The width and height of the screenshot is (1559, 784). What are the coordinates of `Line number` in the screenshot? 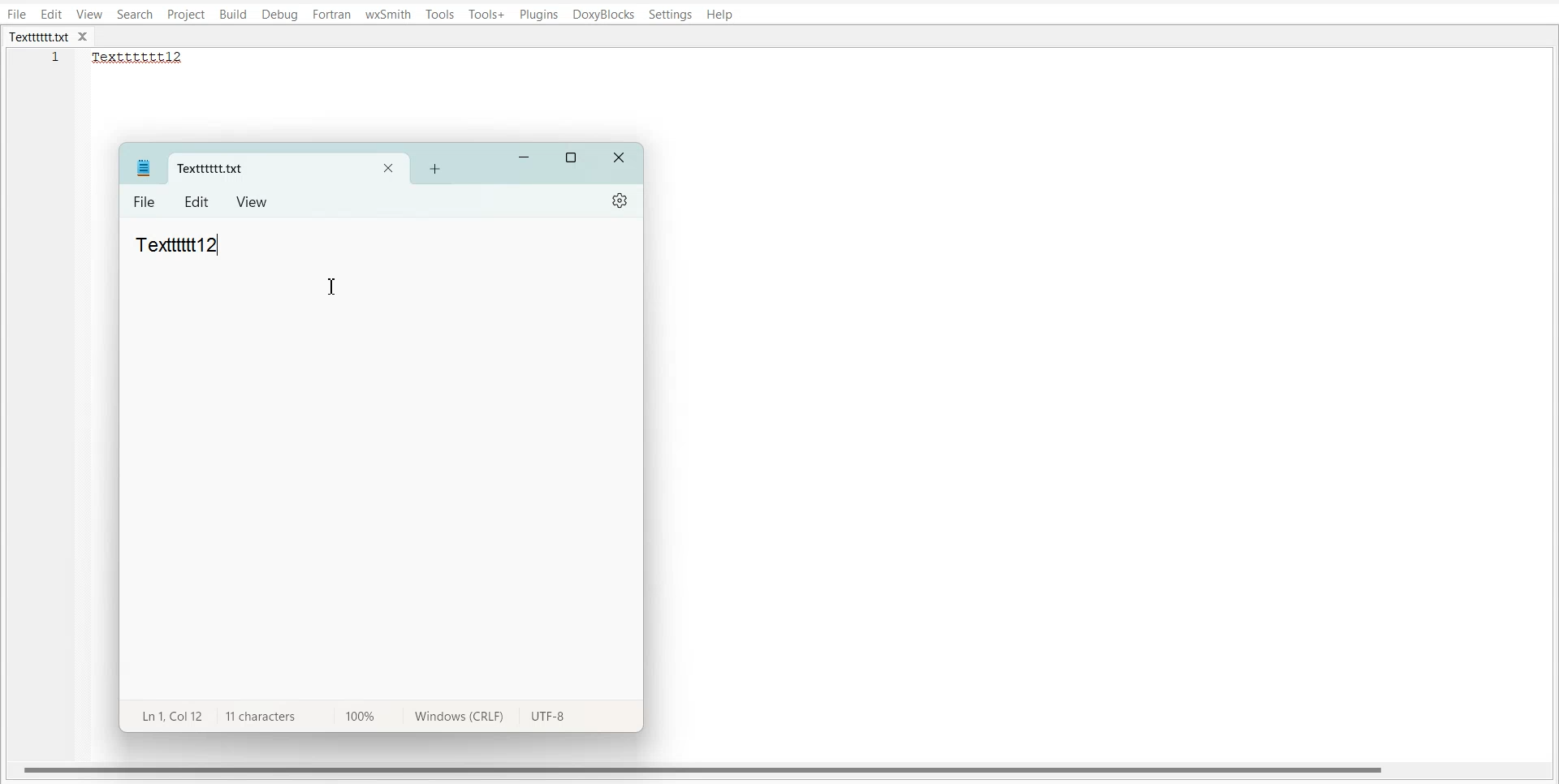 It's located at (57, 62).